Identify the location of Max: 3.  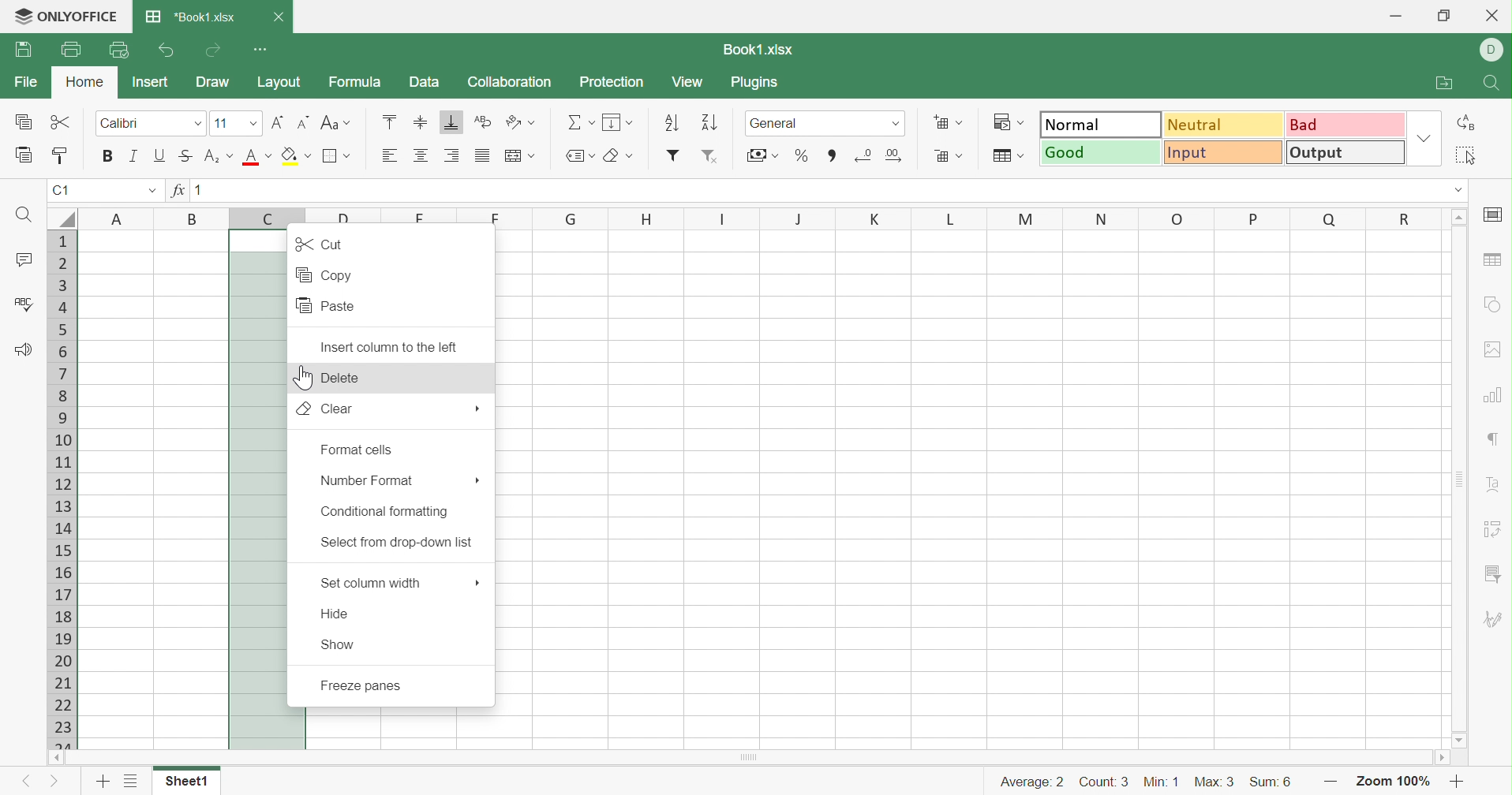
(1214, 782).